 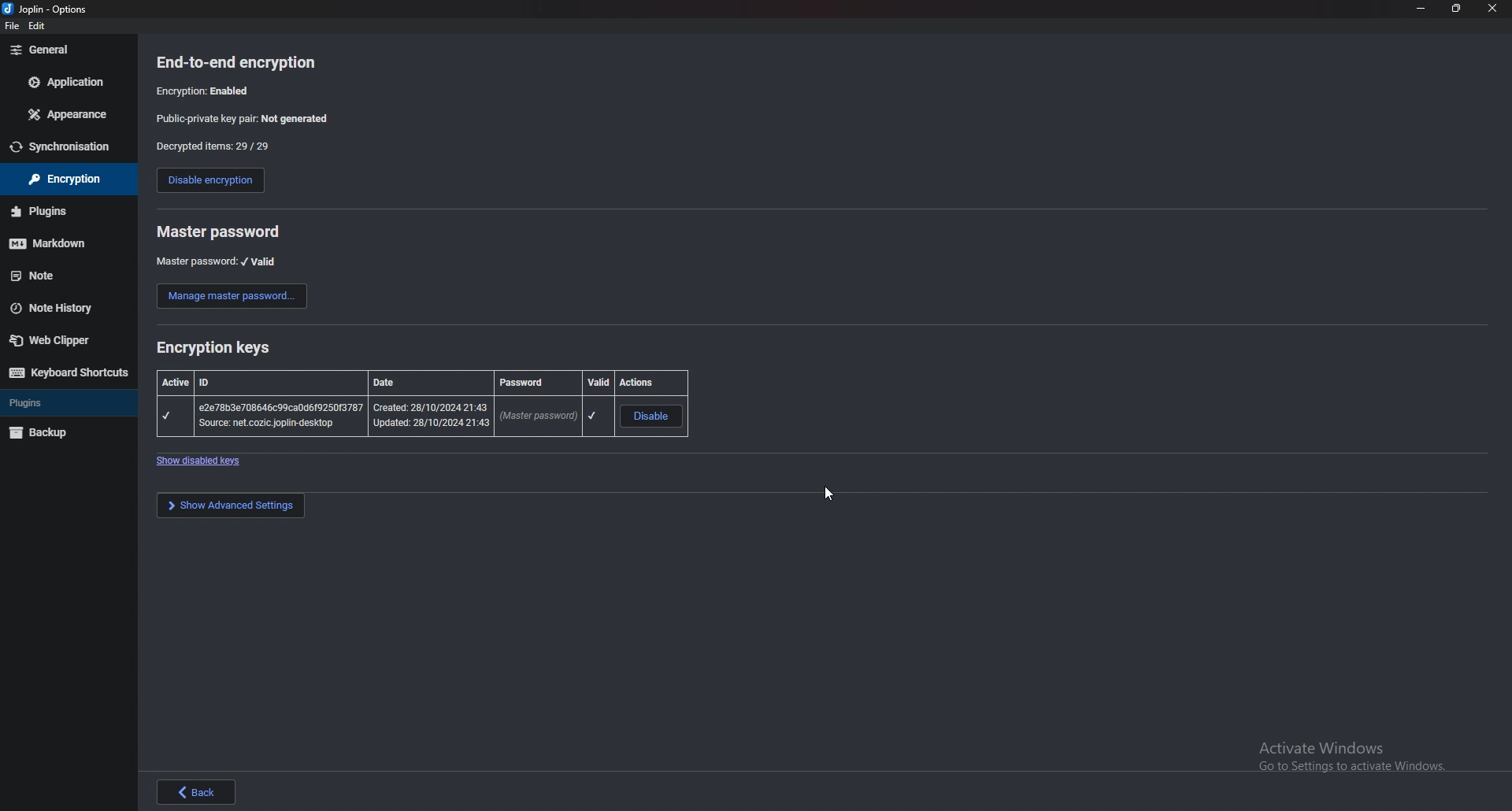 I want to click on , so click(x=43, y=213).